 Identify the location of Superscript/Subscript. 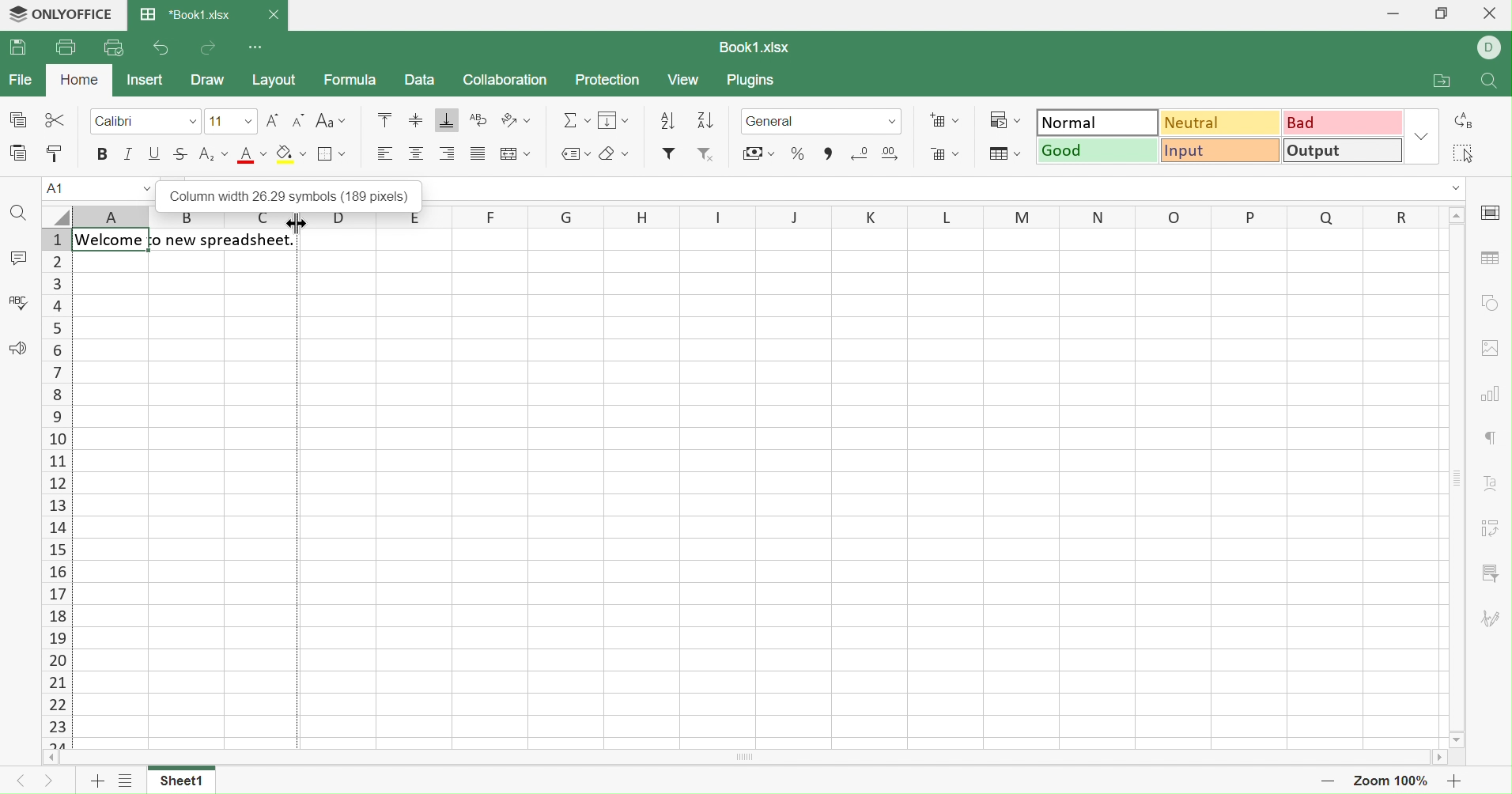
(214, 153).